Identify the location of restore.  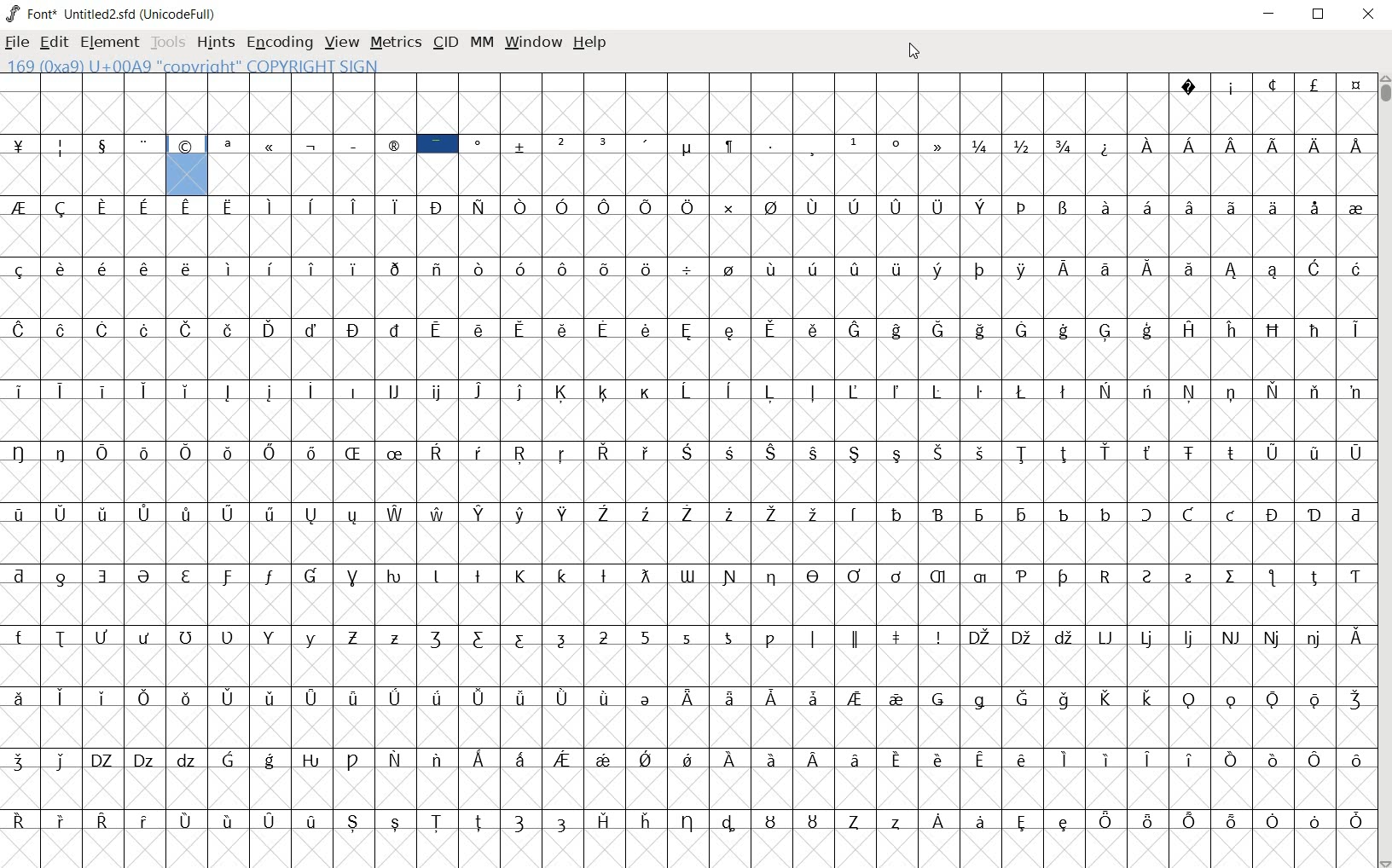
(1320, 14).